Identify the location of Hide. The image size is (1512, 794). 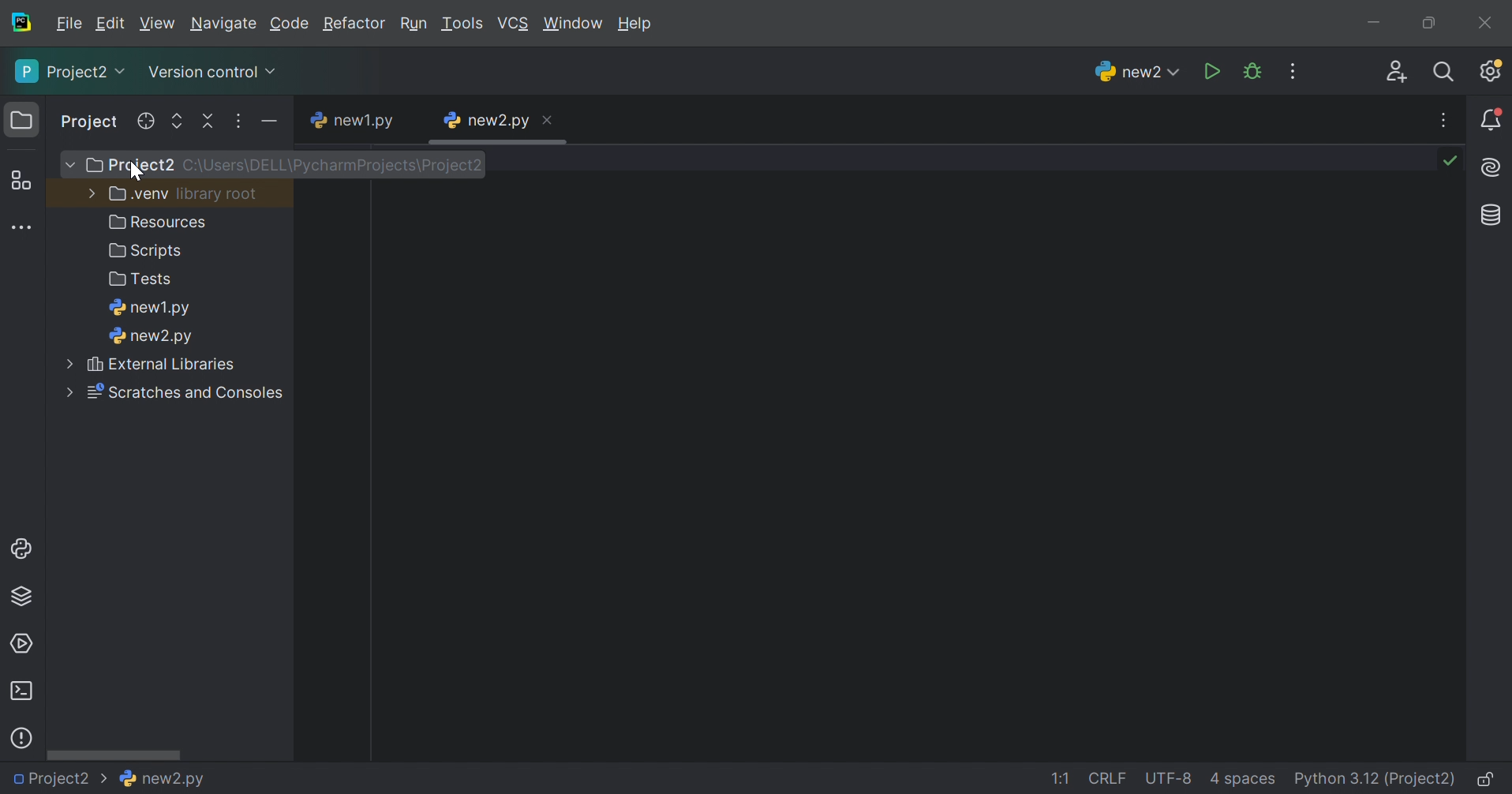
(266, 122).